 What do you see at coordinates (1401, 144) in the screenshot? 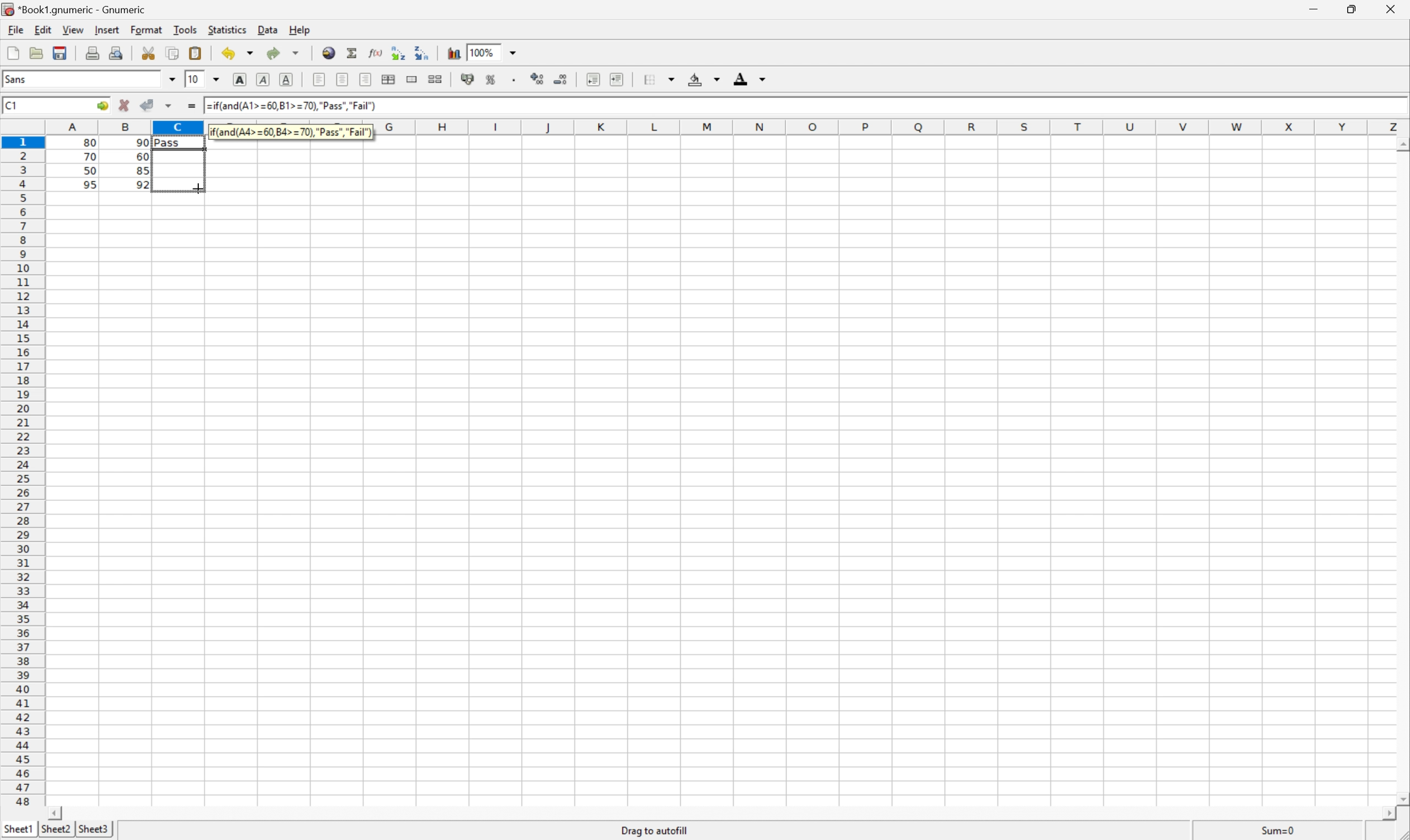
I see `Scroll Up` at bounding box center [1401, 144].